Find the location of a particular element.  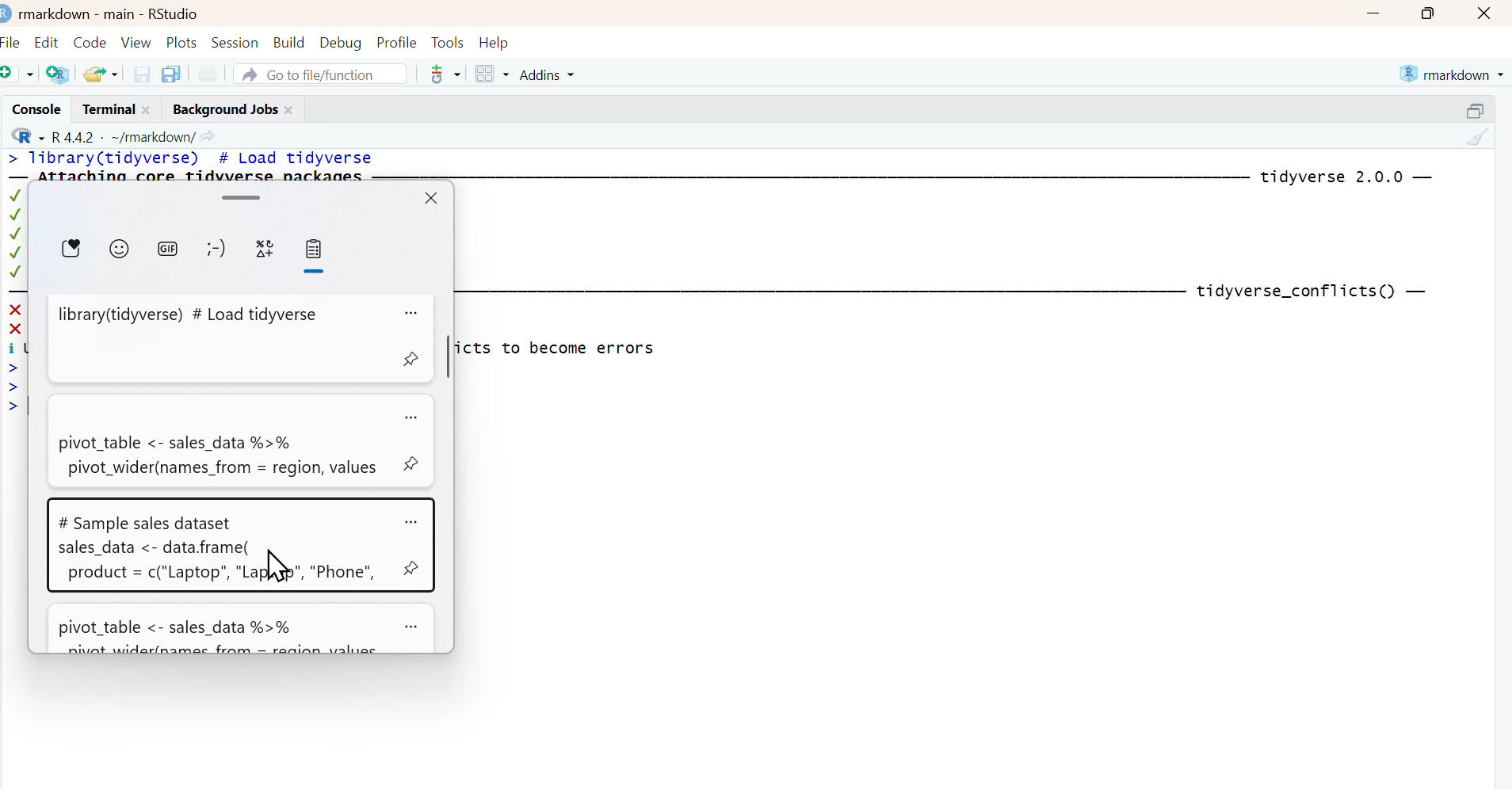

GIFs is located at coordinates (173, 253).